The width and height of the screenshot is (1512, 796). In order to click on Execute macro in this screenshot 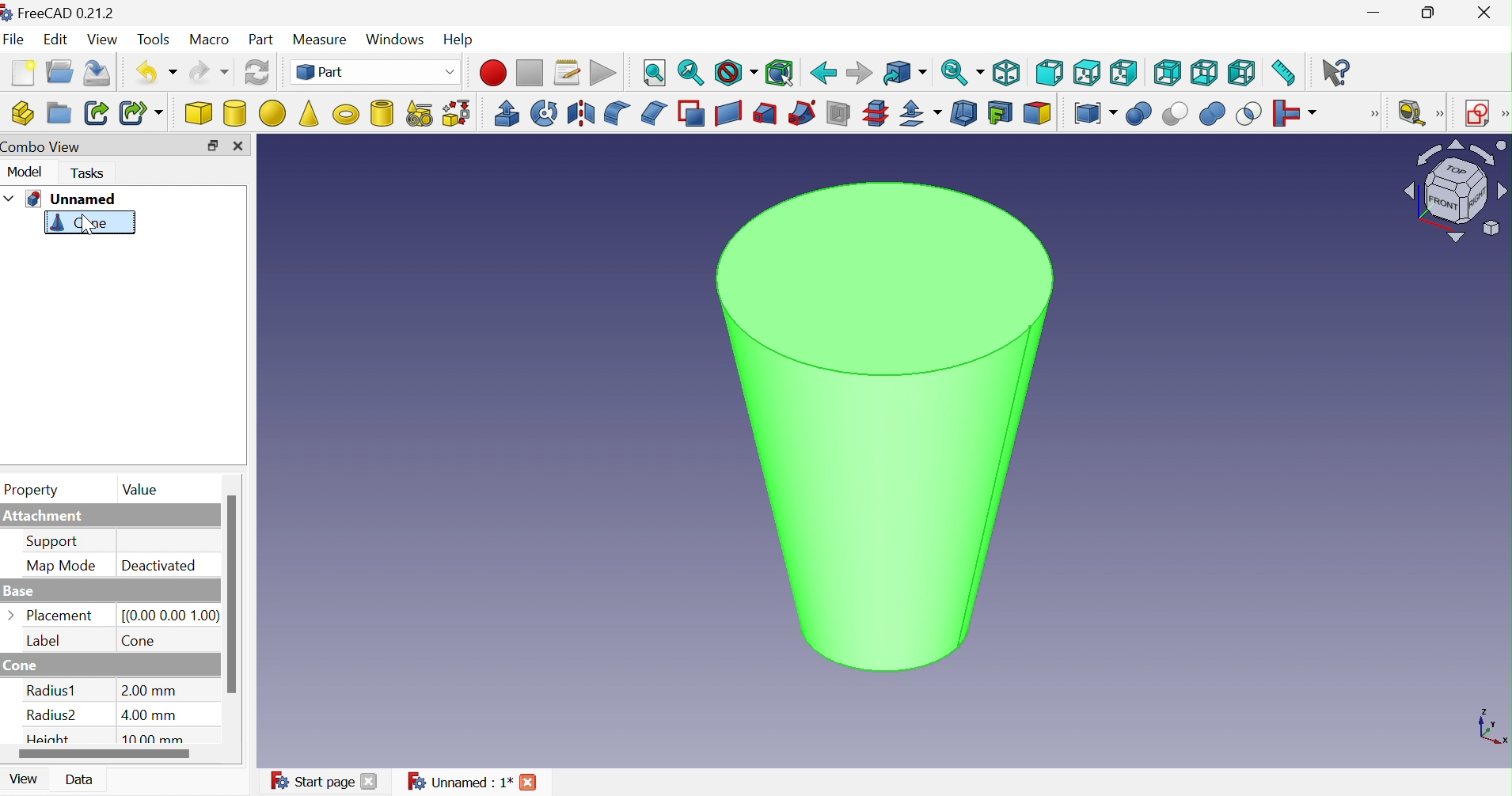, I will do `click(602, 74)`.